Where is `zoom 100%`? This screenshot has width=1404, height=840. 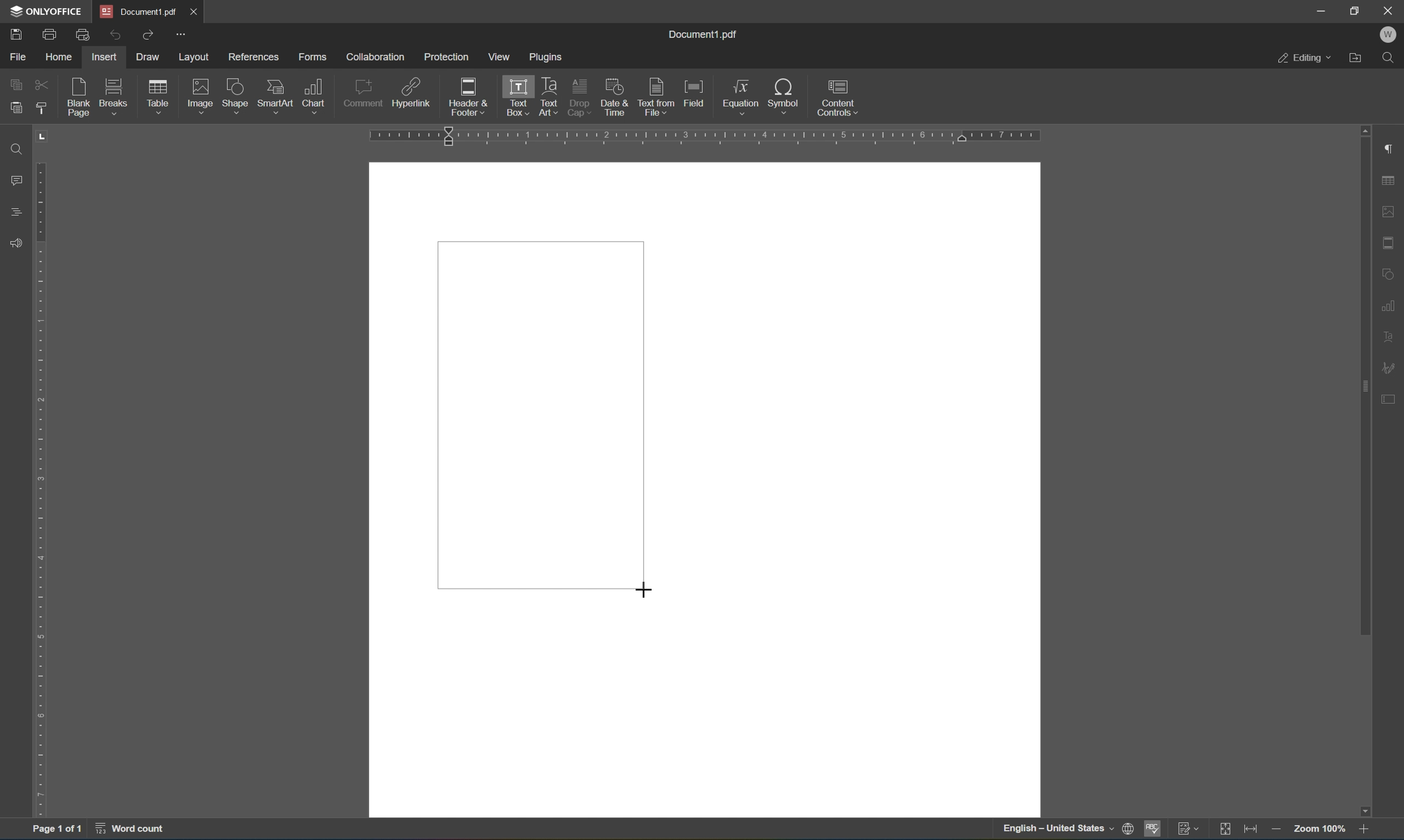 zoom 100% is located at coordinates (1320, 831).